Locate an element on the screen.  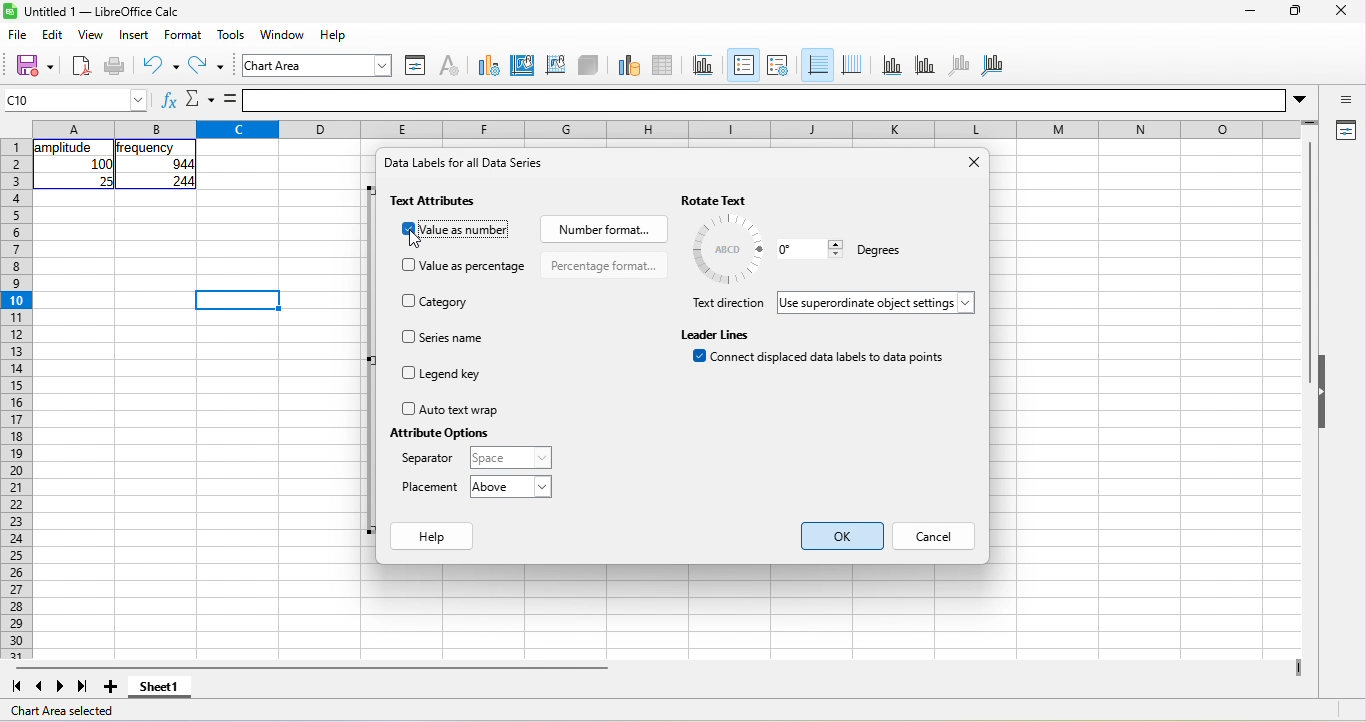
degrees is located at coordinates (876, 252).